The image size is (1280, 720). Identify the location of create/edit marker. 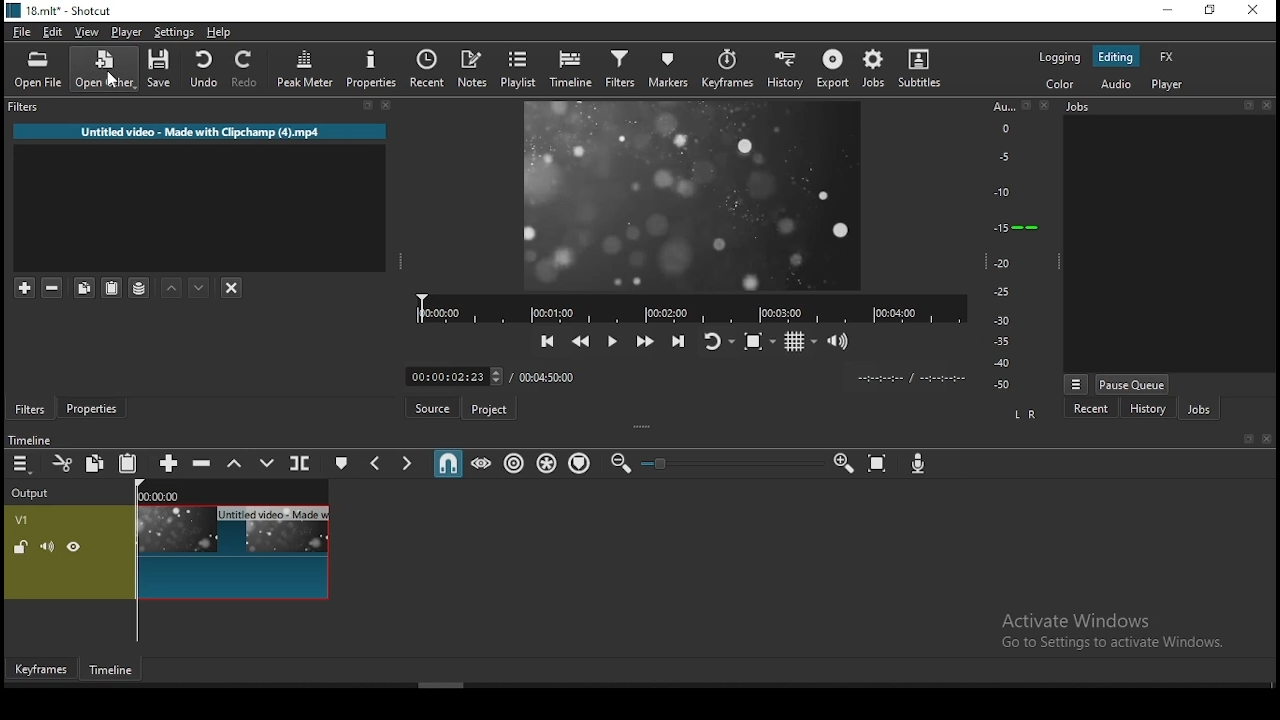
(342, 463).